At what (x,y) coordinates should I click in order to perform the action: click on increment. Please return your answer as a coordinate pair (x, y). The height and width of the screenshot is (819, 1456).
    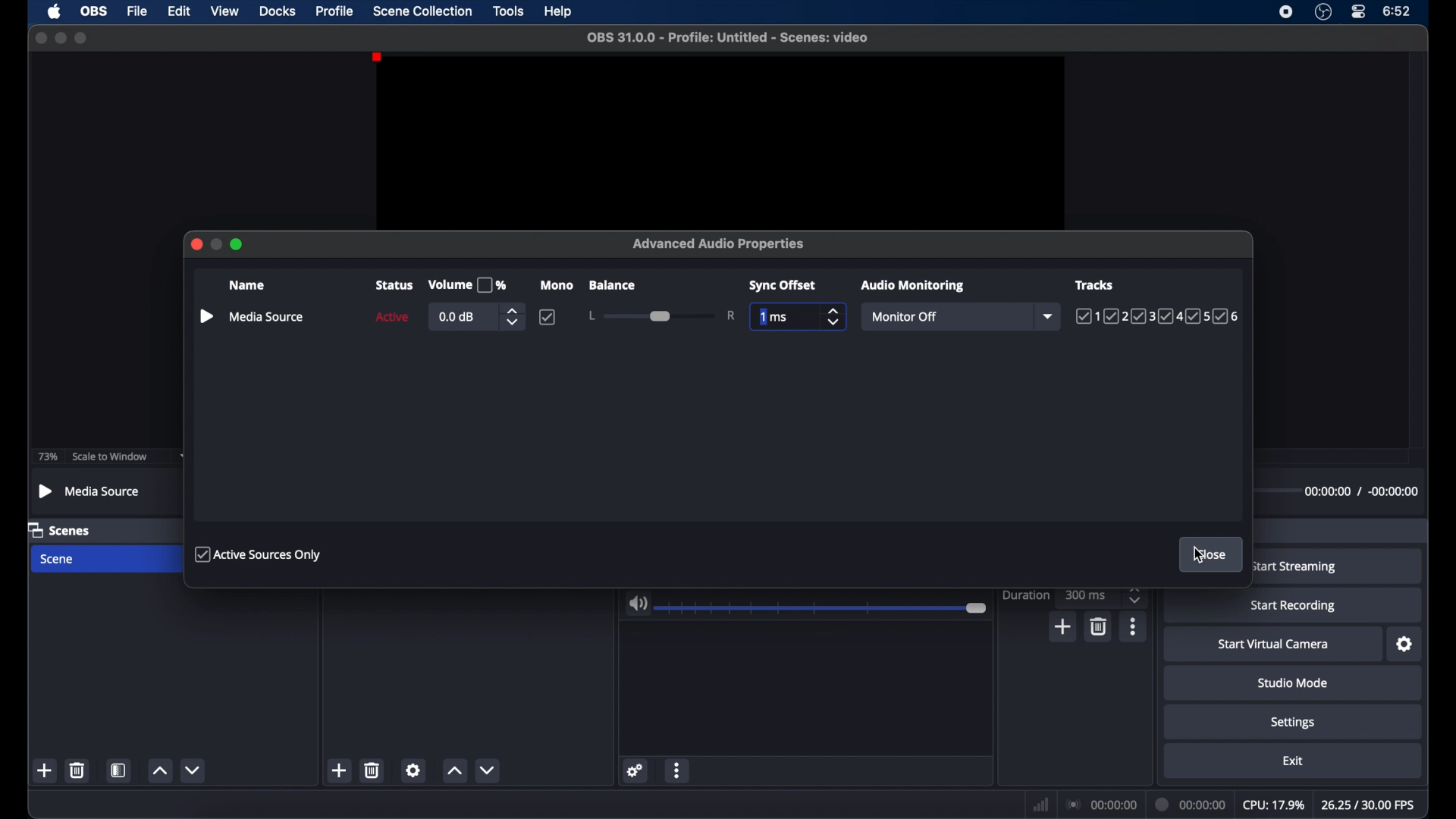
    Looking at the image, I should click on (454, 770).